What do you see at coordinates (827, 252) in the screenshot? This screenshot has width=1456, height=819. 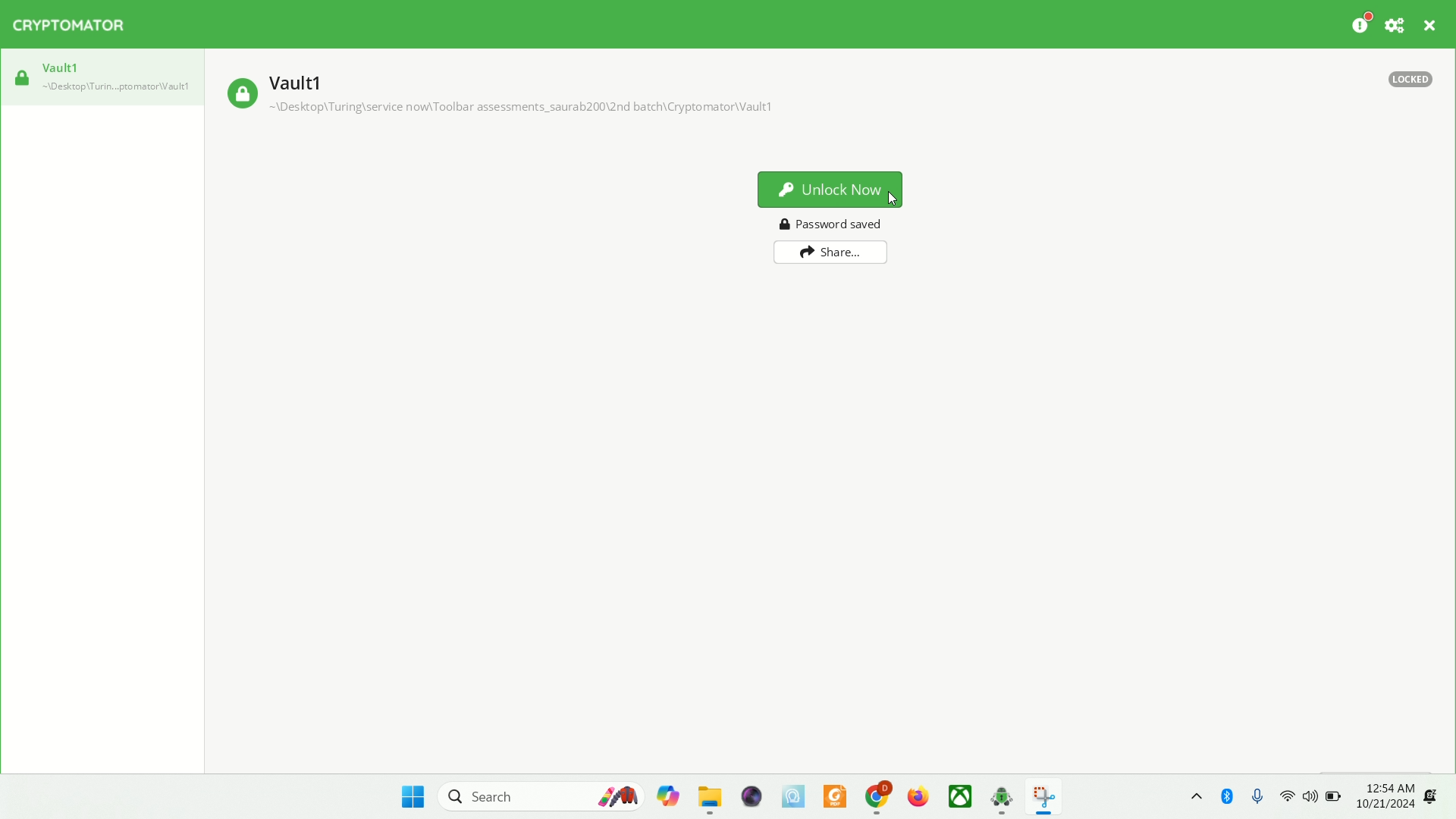 I see `share` at bounding box center [827, 252].